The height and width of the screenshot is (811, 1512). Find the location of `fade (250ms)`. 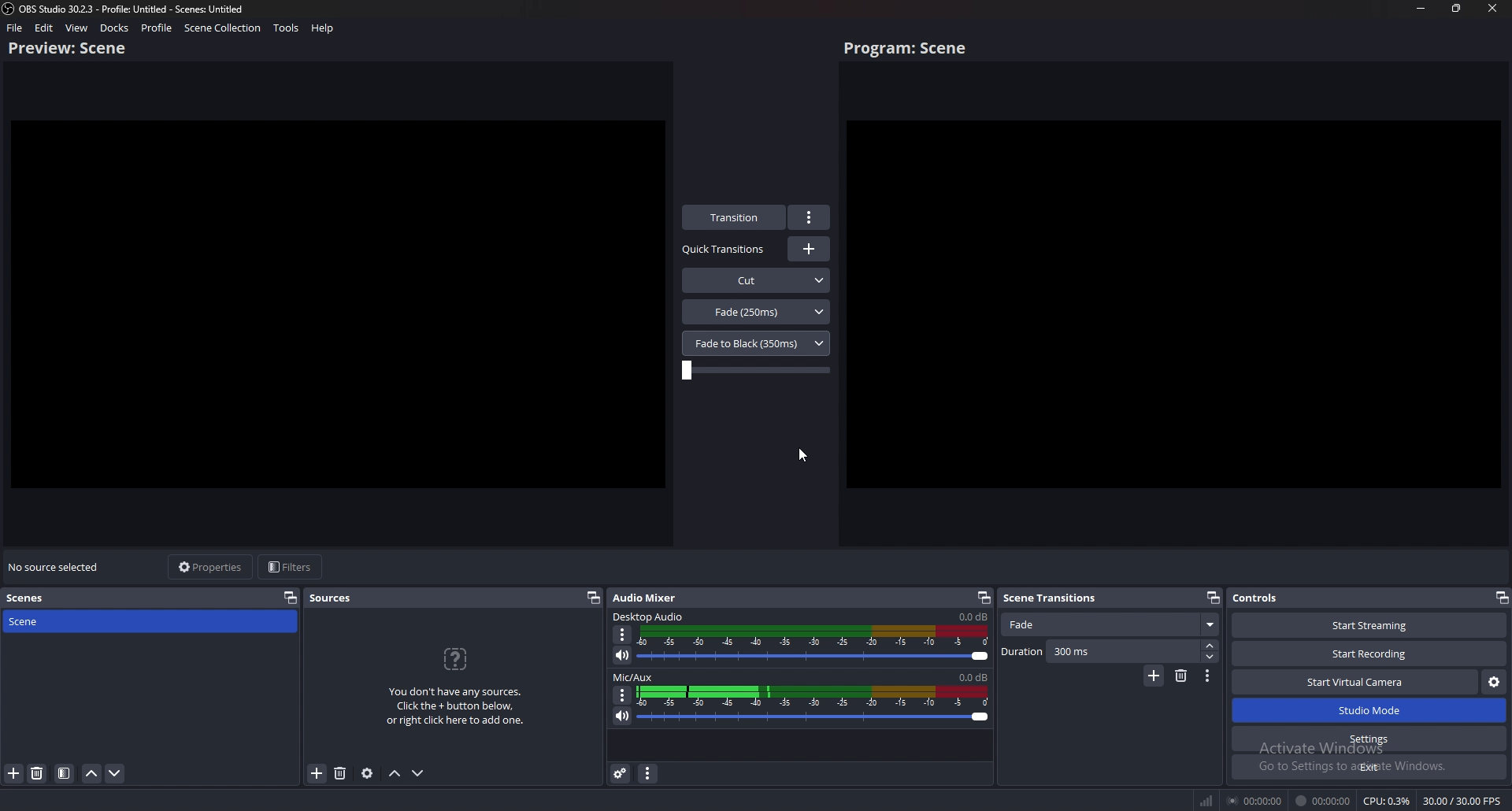

fade (250ms) is located at coordinates (757, 312).